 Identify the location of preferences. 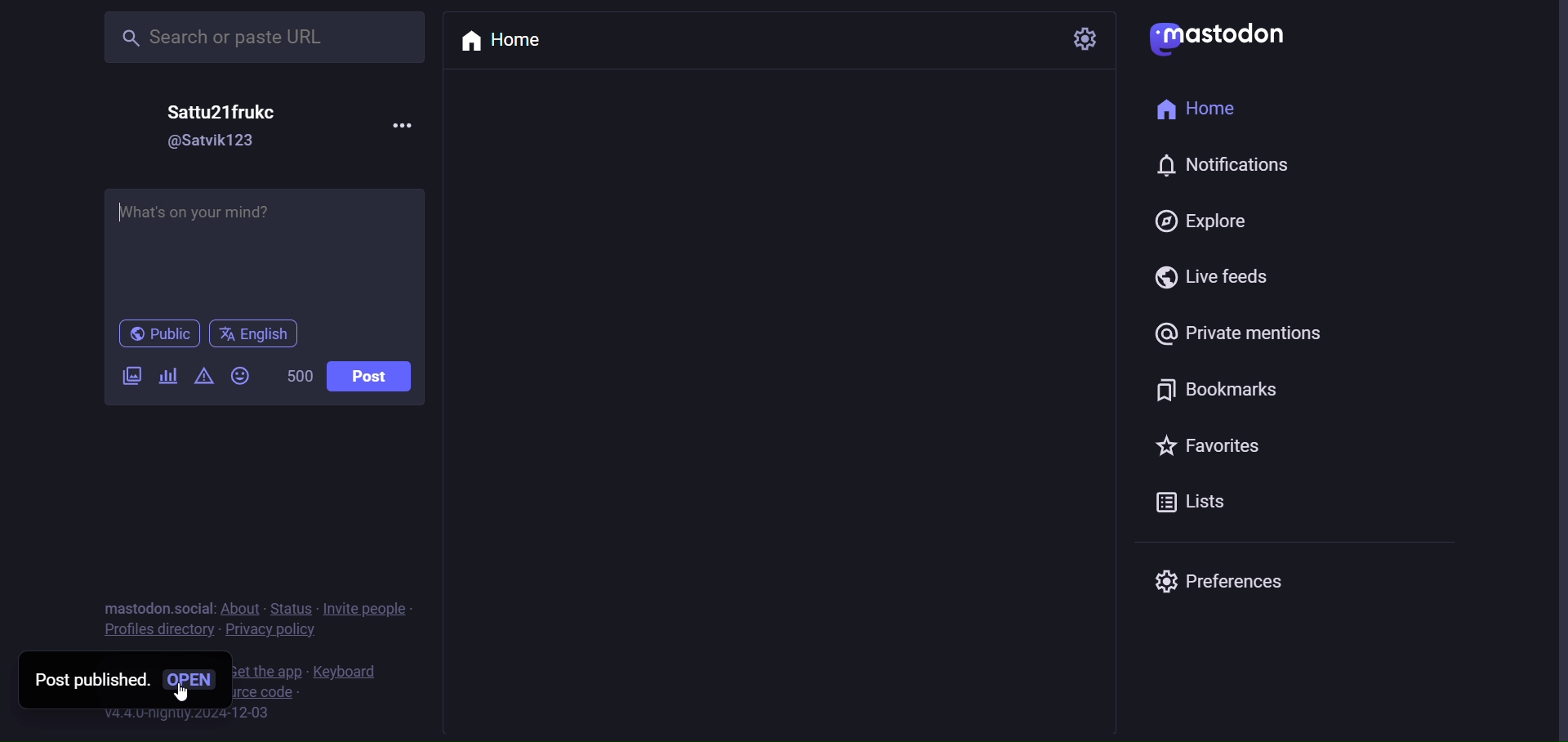
(1225, 579).